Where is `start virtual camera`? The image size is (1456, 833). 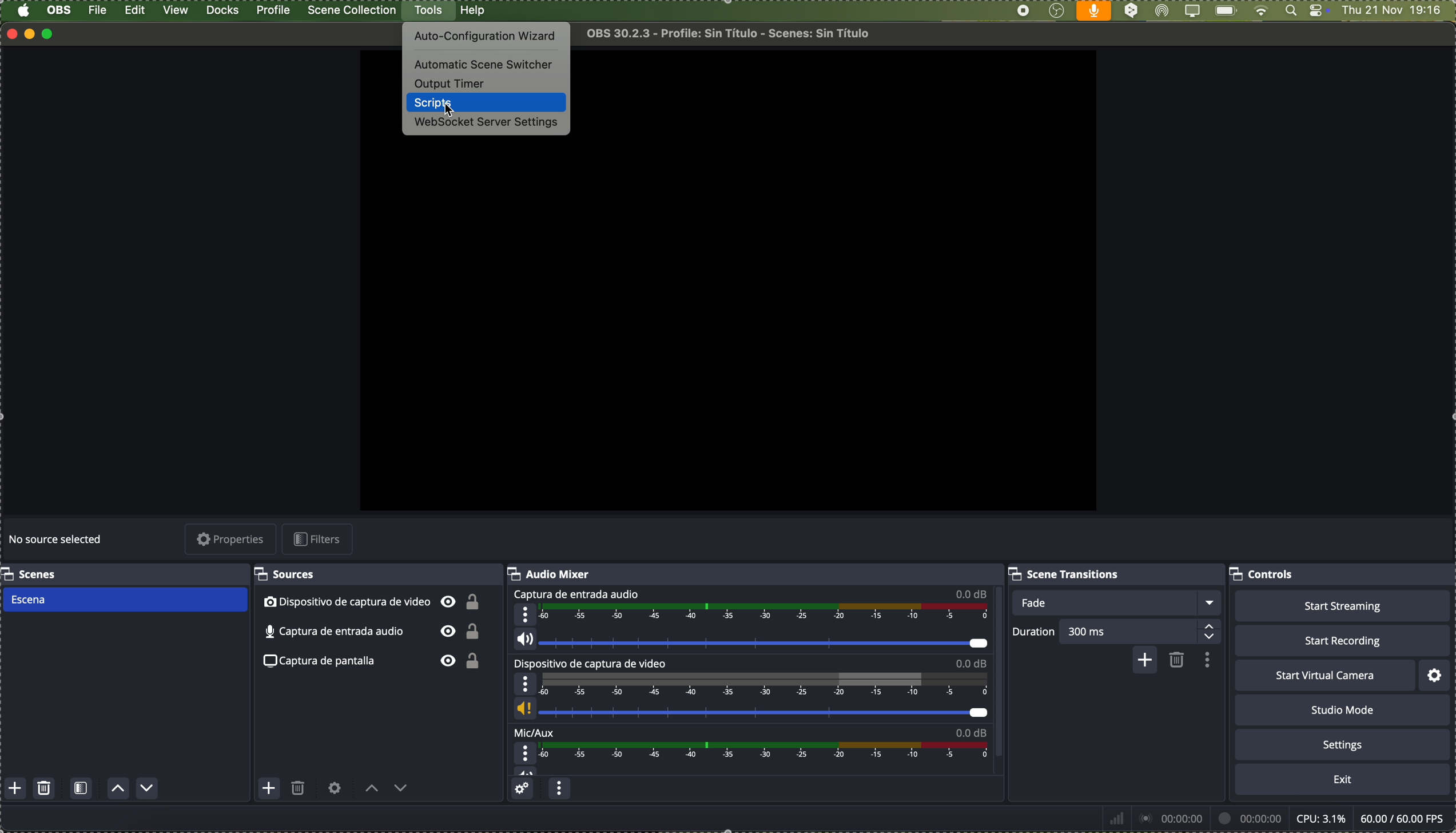 start virtual camera is located at coordinates (1324, 676).